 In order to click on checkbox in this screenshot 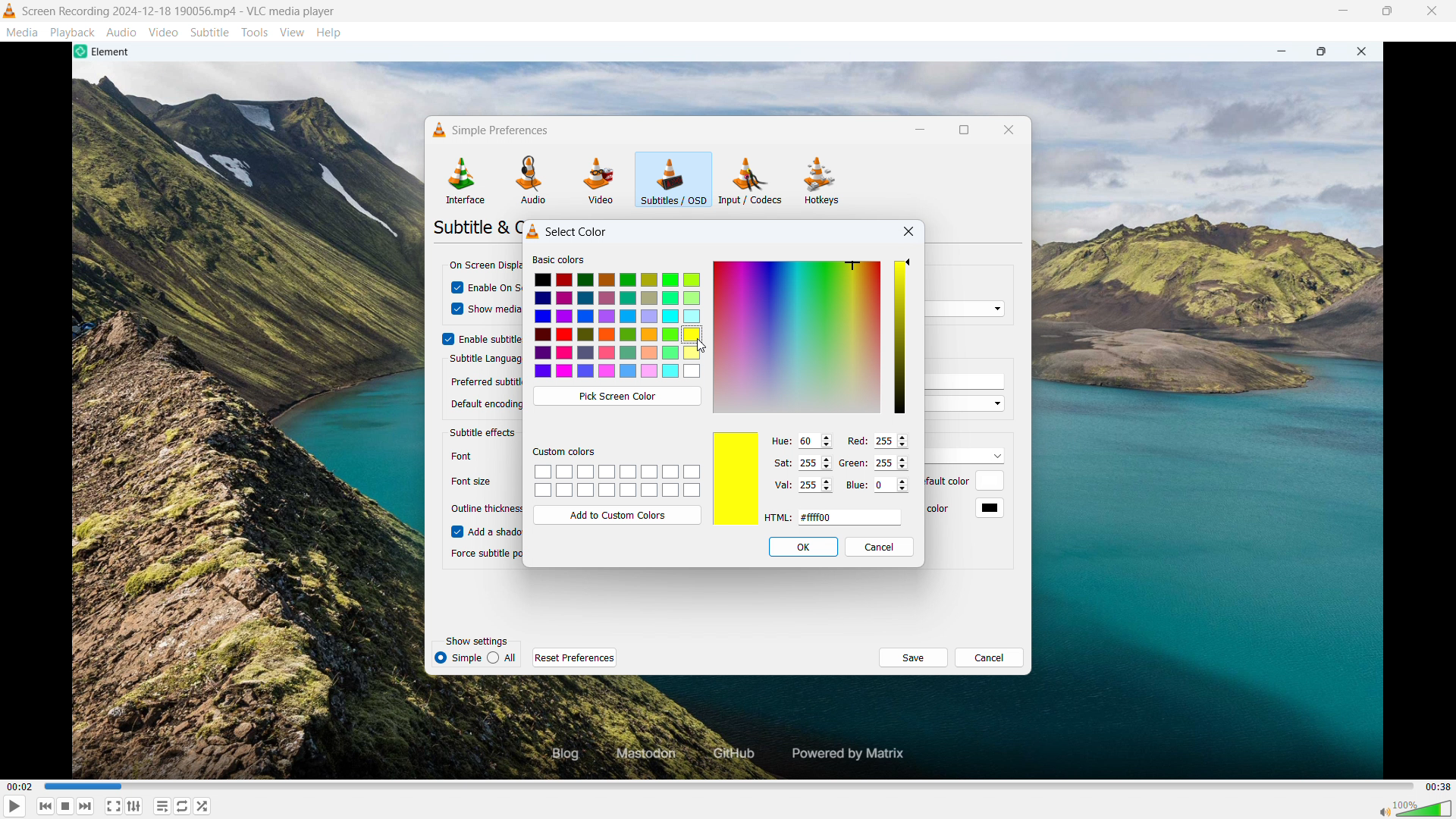, I will do `click(446, 338)`.